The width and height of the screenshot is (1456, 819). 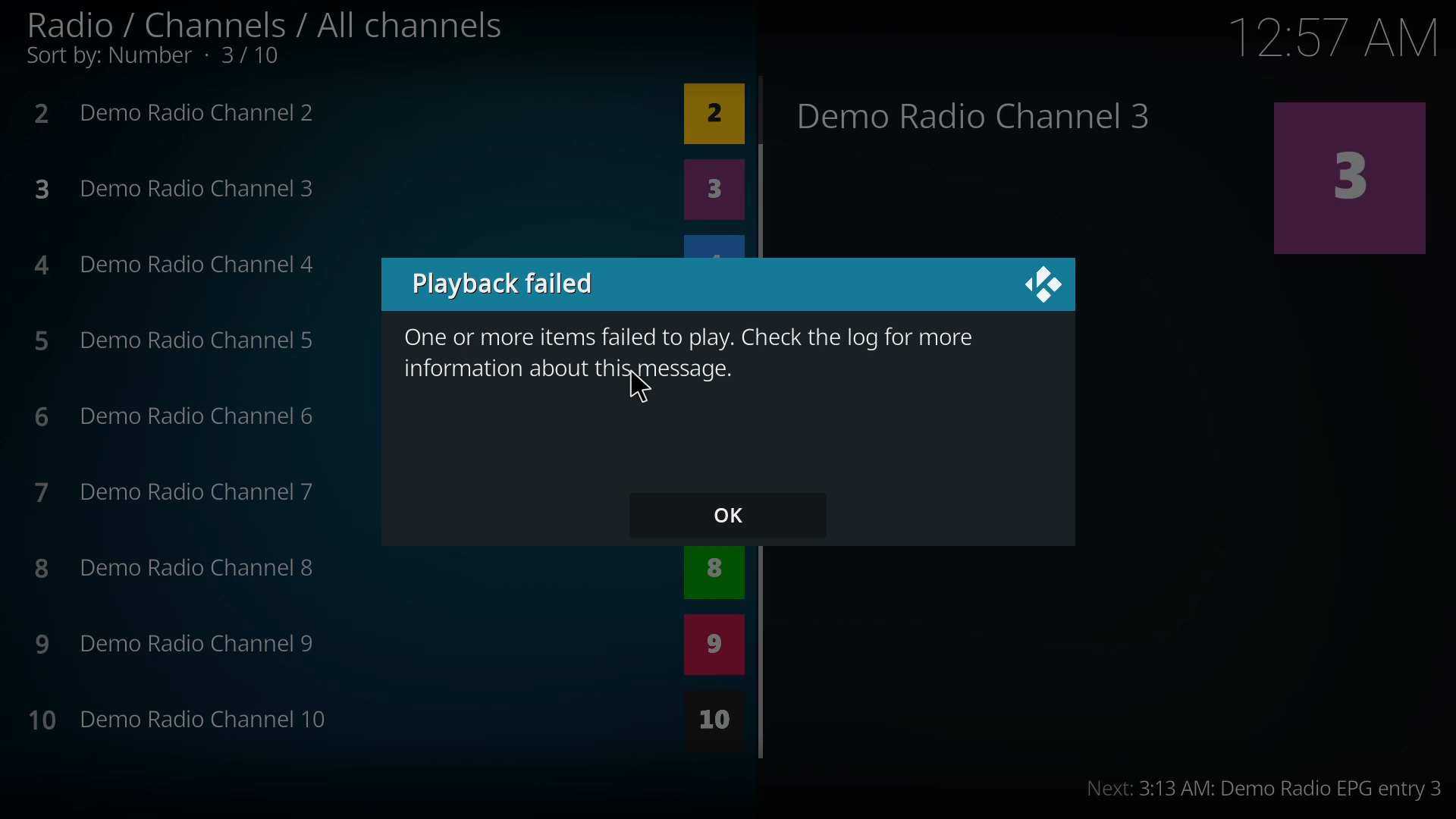 I want to click on 8 Demo Radio Channel 8, so click(x=177, y=569).